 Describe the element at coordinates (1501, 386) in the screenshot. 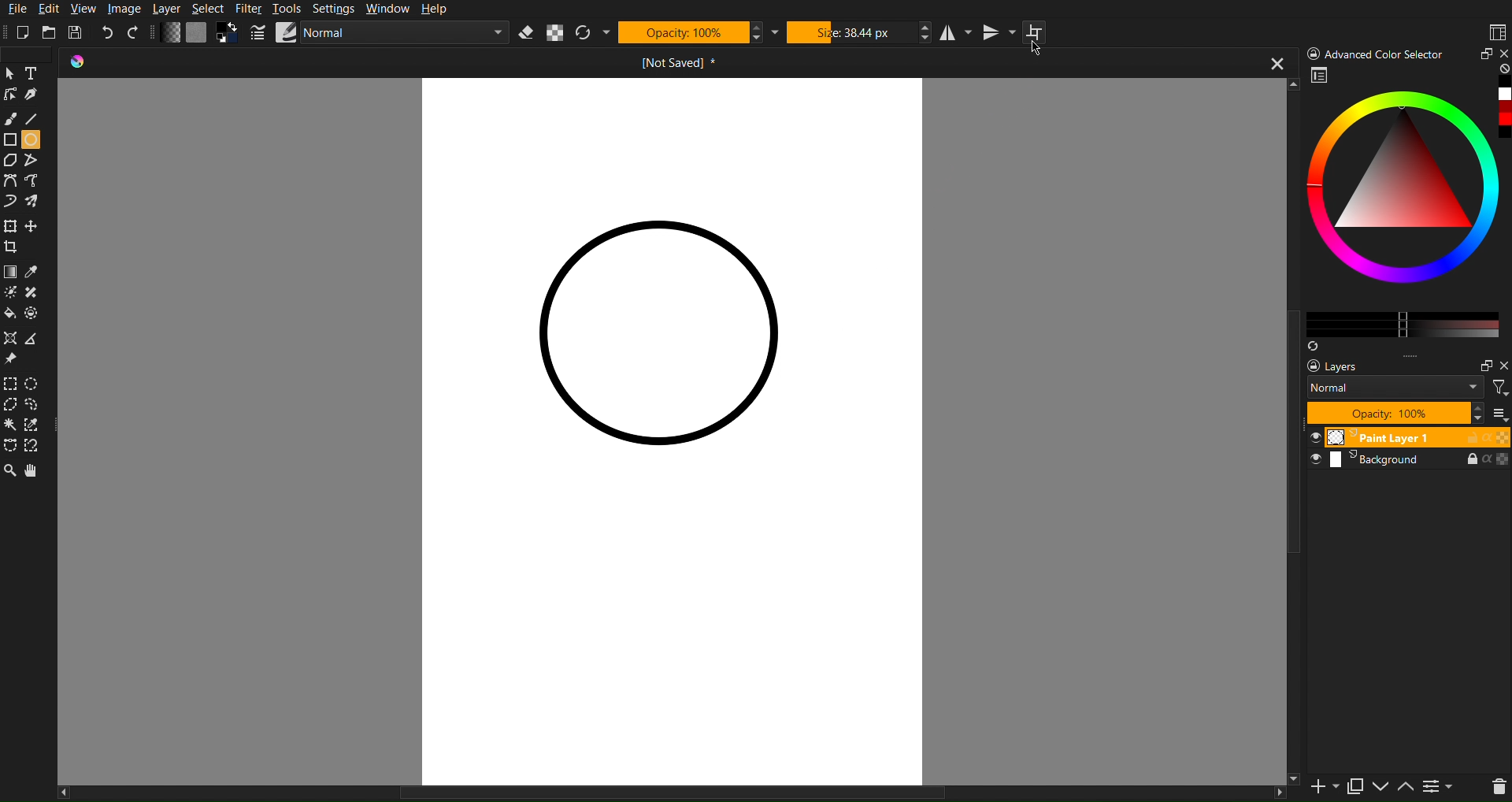

I see `filter` at that location.